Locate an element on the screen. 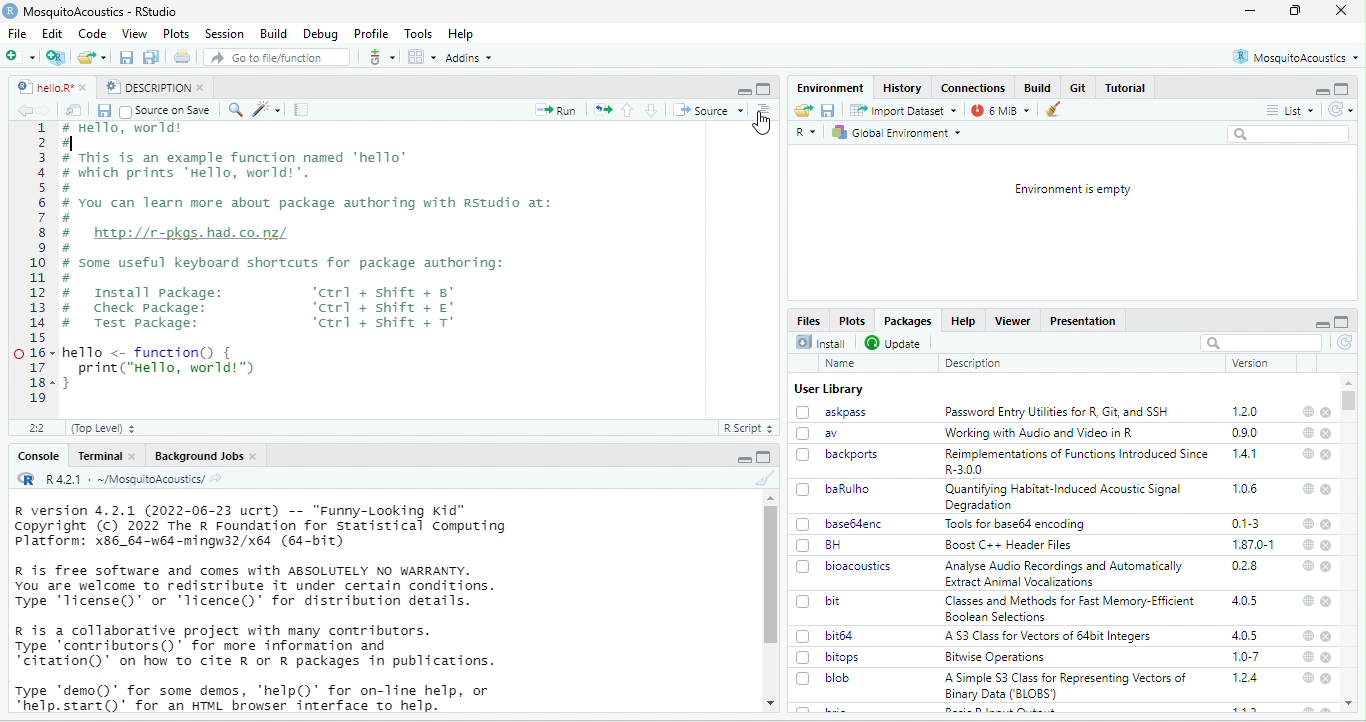 This screenshot has width=1366, height=722. help is located at coordinates (1307, 601).